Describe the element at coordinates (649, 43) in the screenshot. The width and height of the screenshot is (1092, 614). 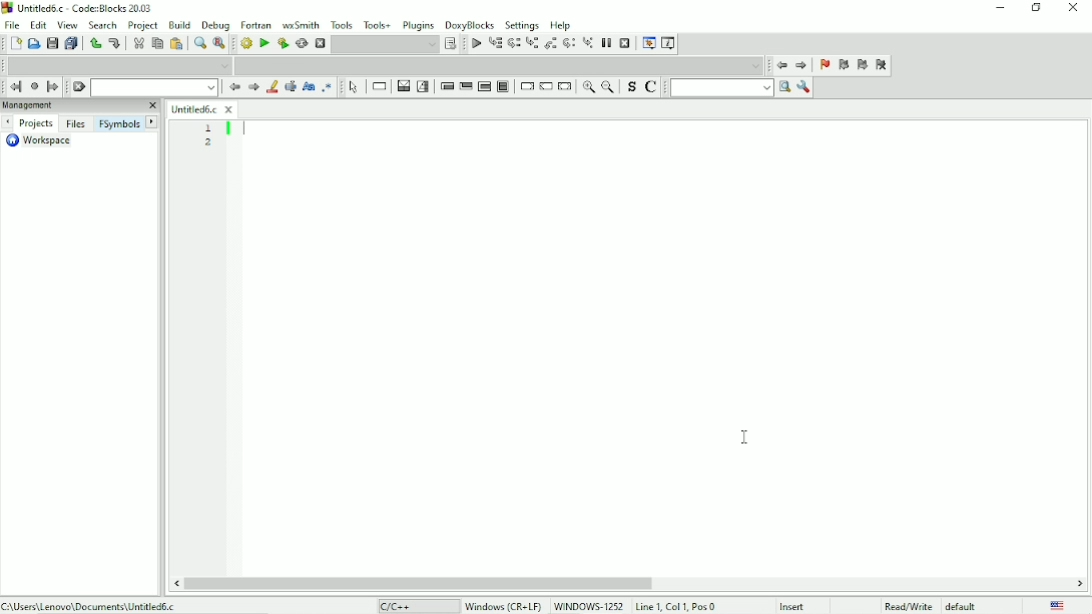
I see `Debugging windows` at that location.